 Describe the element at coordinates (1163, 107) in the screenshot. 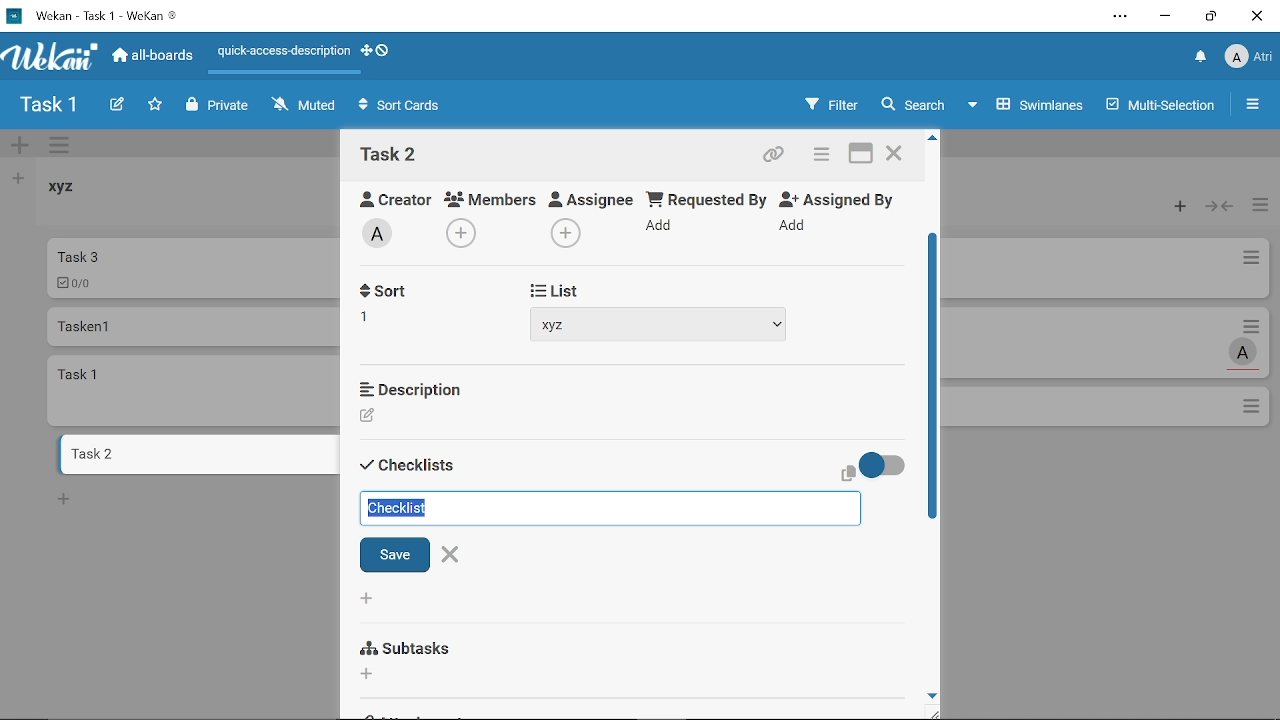

I see `Multilanes` at that location.